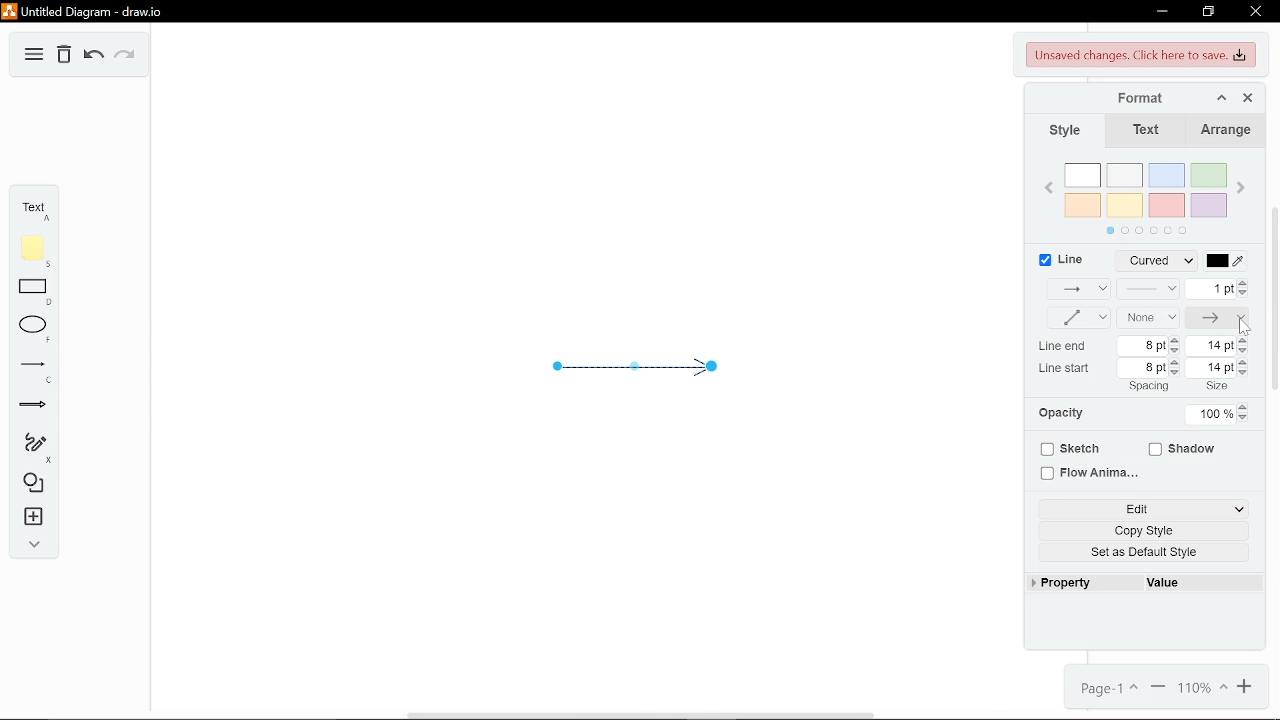  Describe the element at coordinates (1205, 688) in the screenshot. I see `Current zoom` at that location.